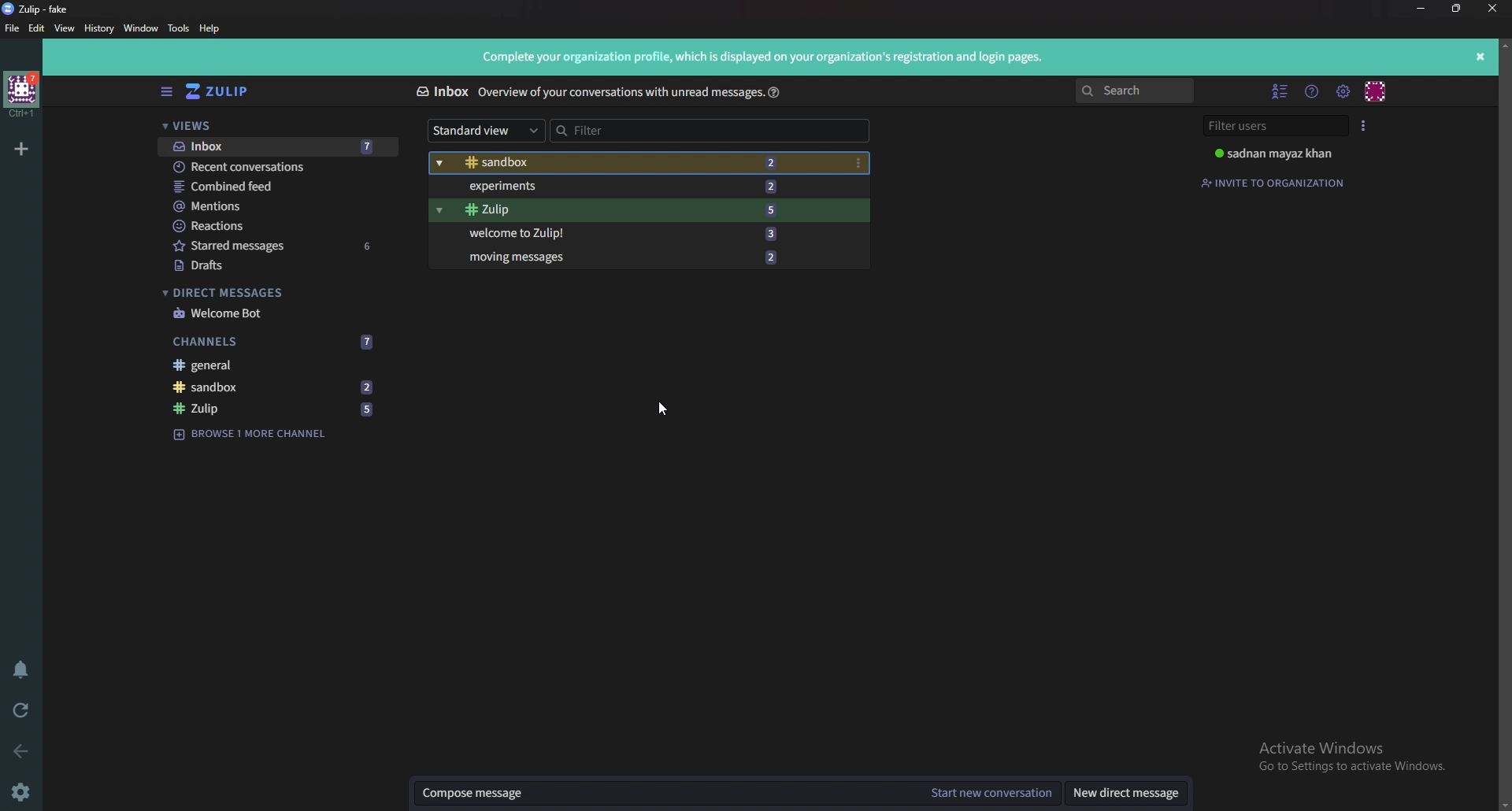 The image size is (1512, 811). What do you see at coordinates (279, 365) in the screenshot?
I see `General` at bounding box center [279, 365].